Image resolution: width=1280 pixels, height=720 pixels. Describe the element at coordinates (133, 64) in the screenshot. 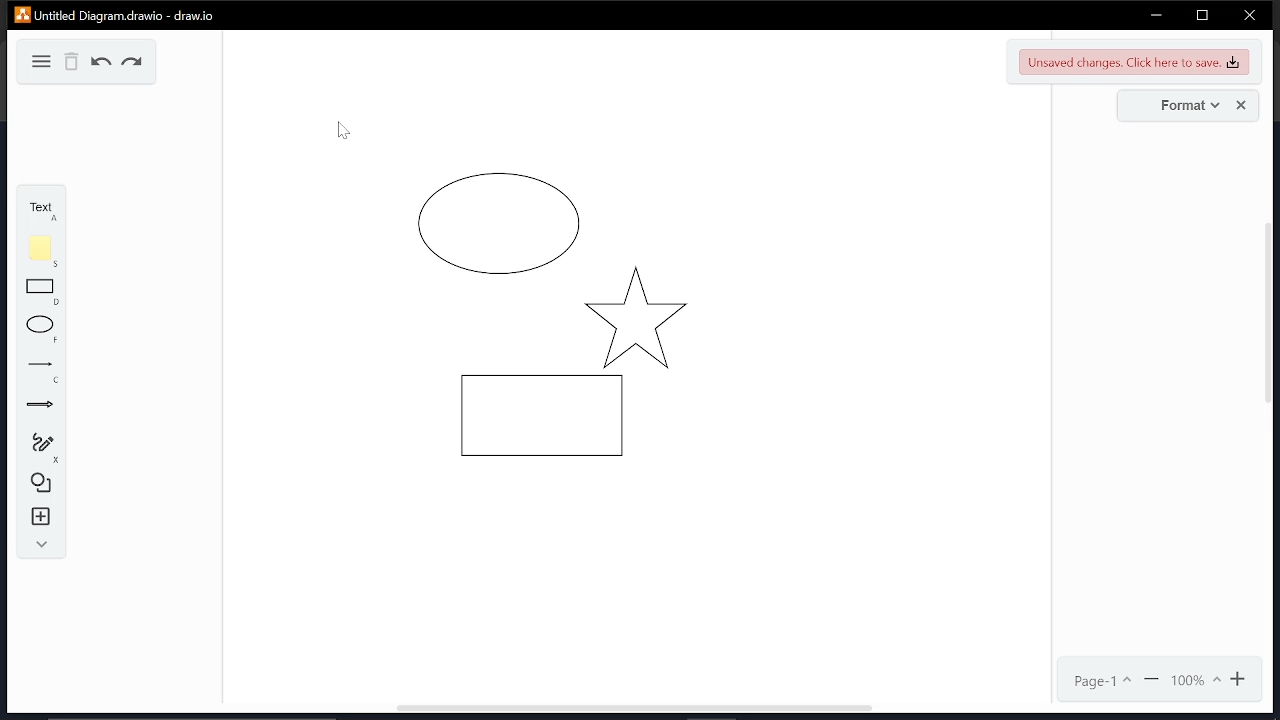

I see `redo` at that location.